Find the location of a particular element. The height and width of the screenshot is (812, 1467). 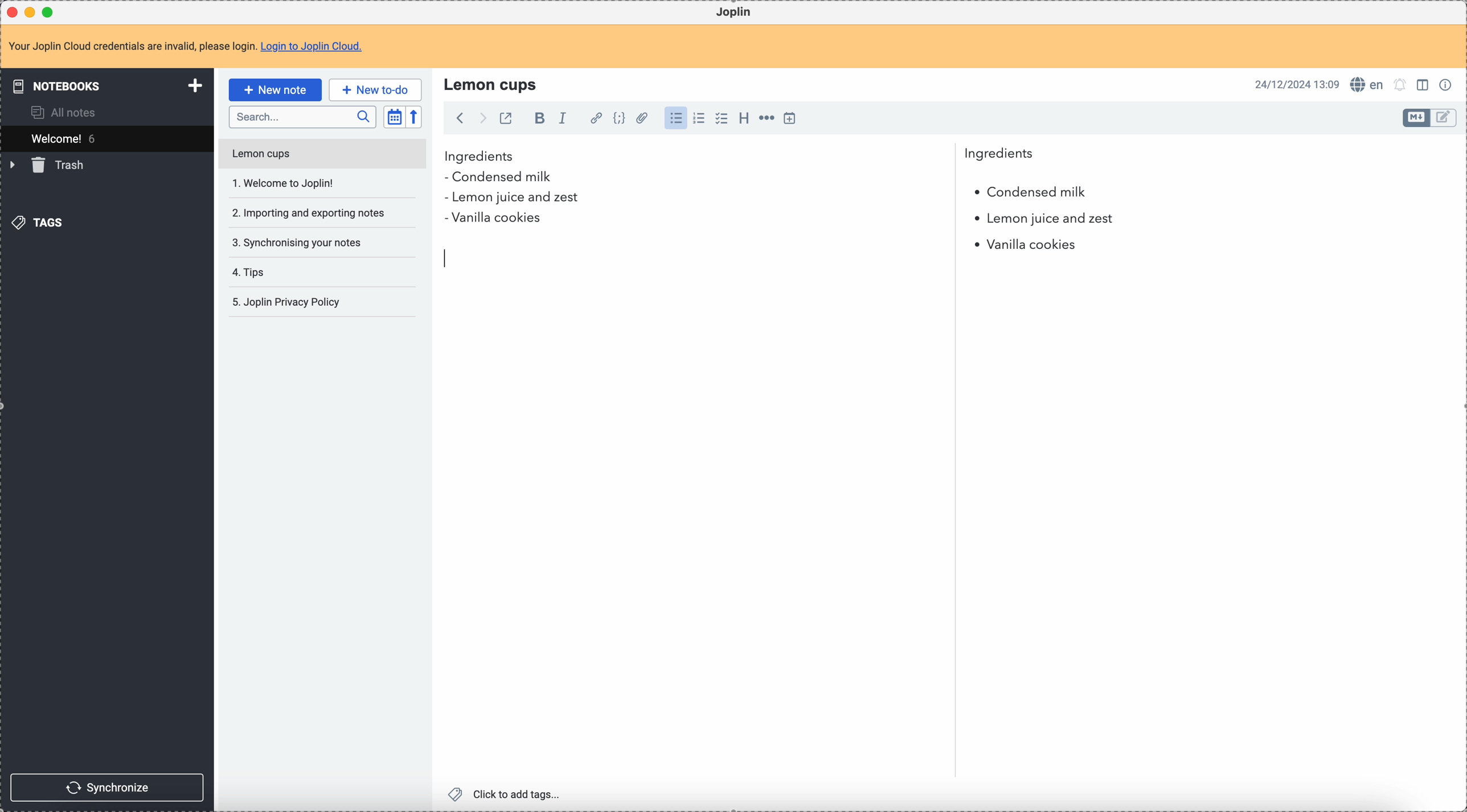

heading is located at coordinates (744, 117).